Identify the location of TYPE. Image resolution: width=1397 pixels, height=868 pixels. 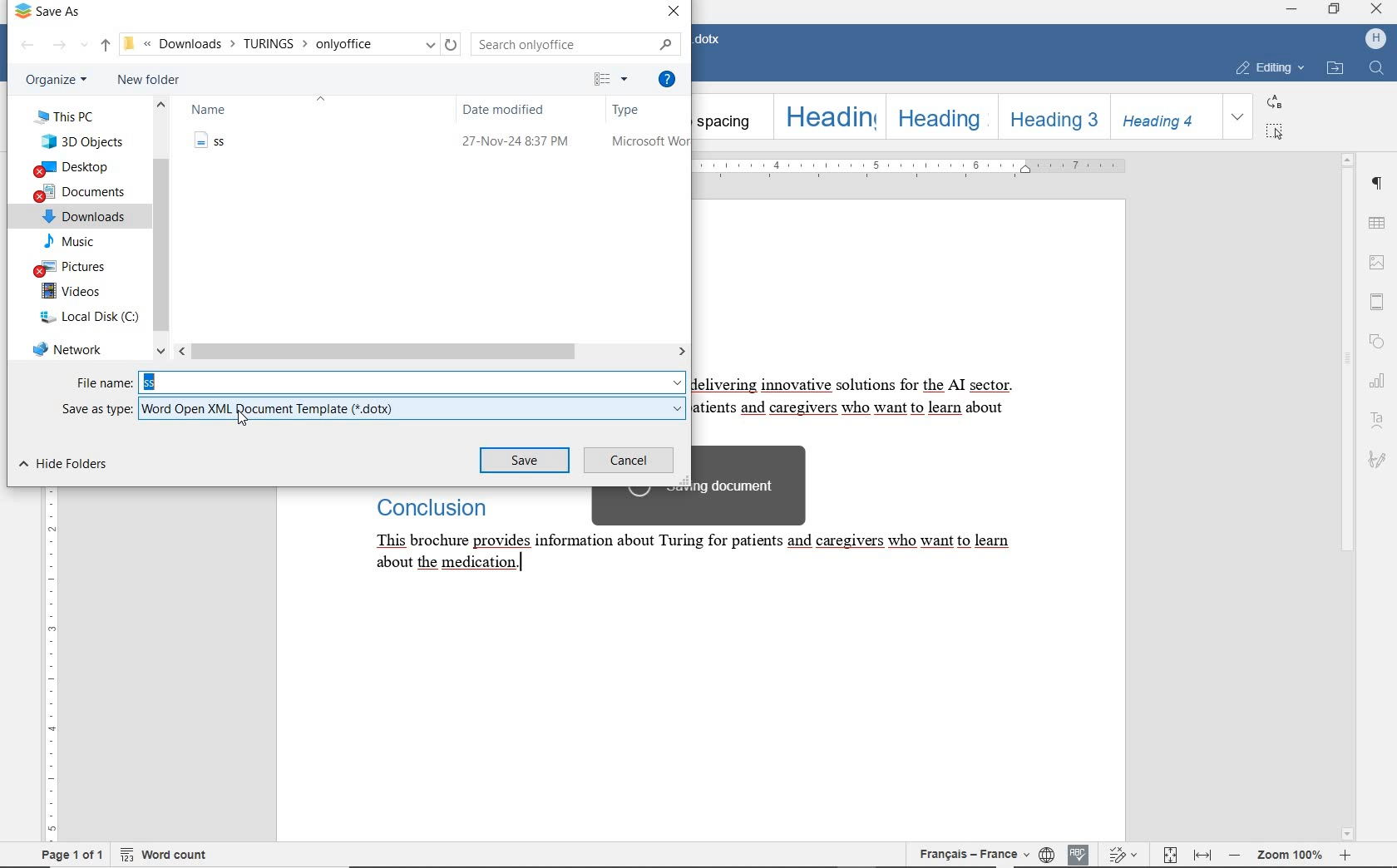
(646, 111).